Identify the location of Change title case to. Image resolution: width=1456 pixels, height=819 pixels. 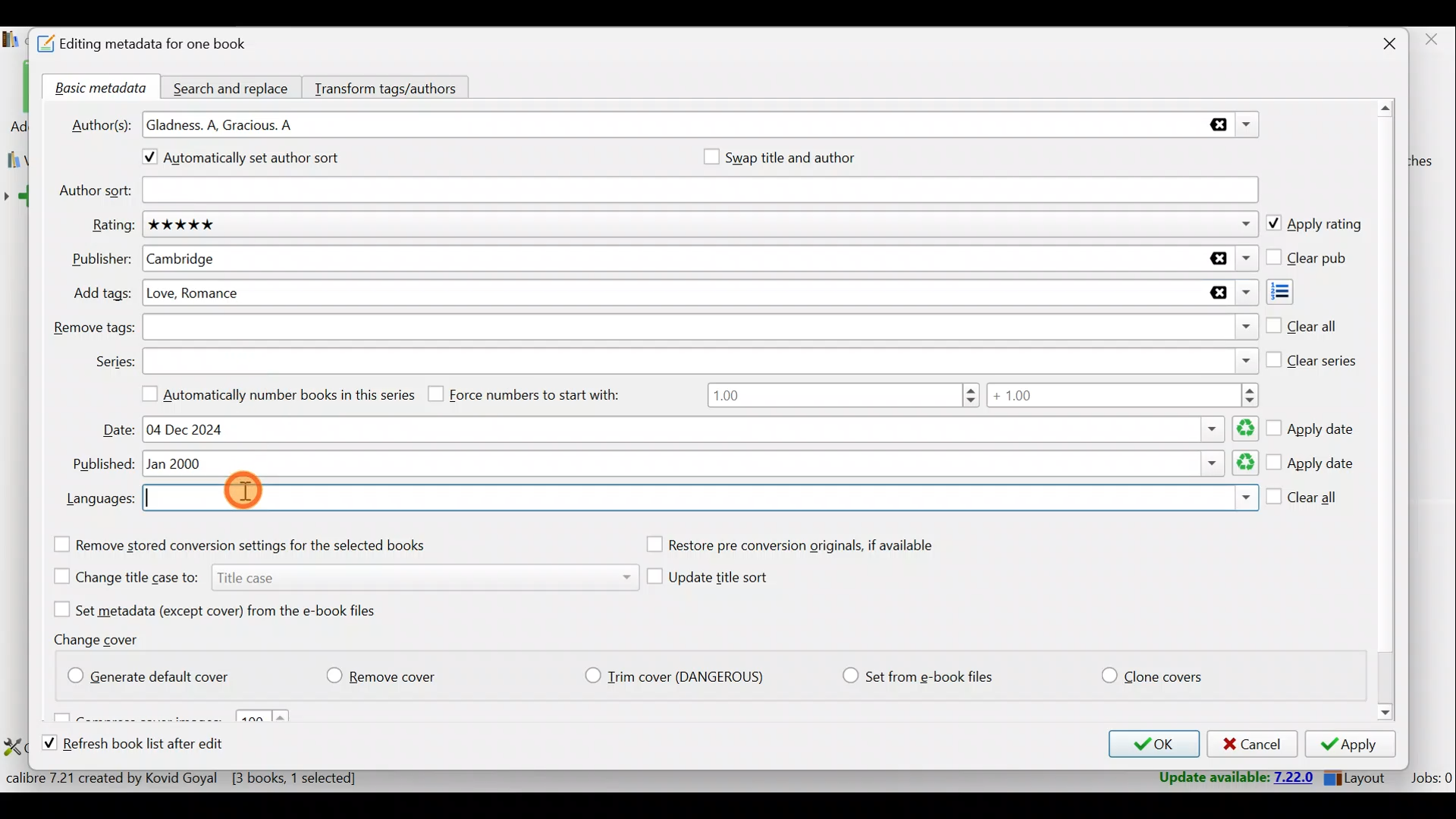
(339, 576).